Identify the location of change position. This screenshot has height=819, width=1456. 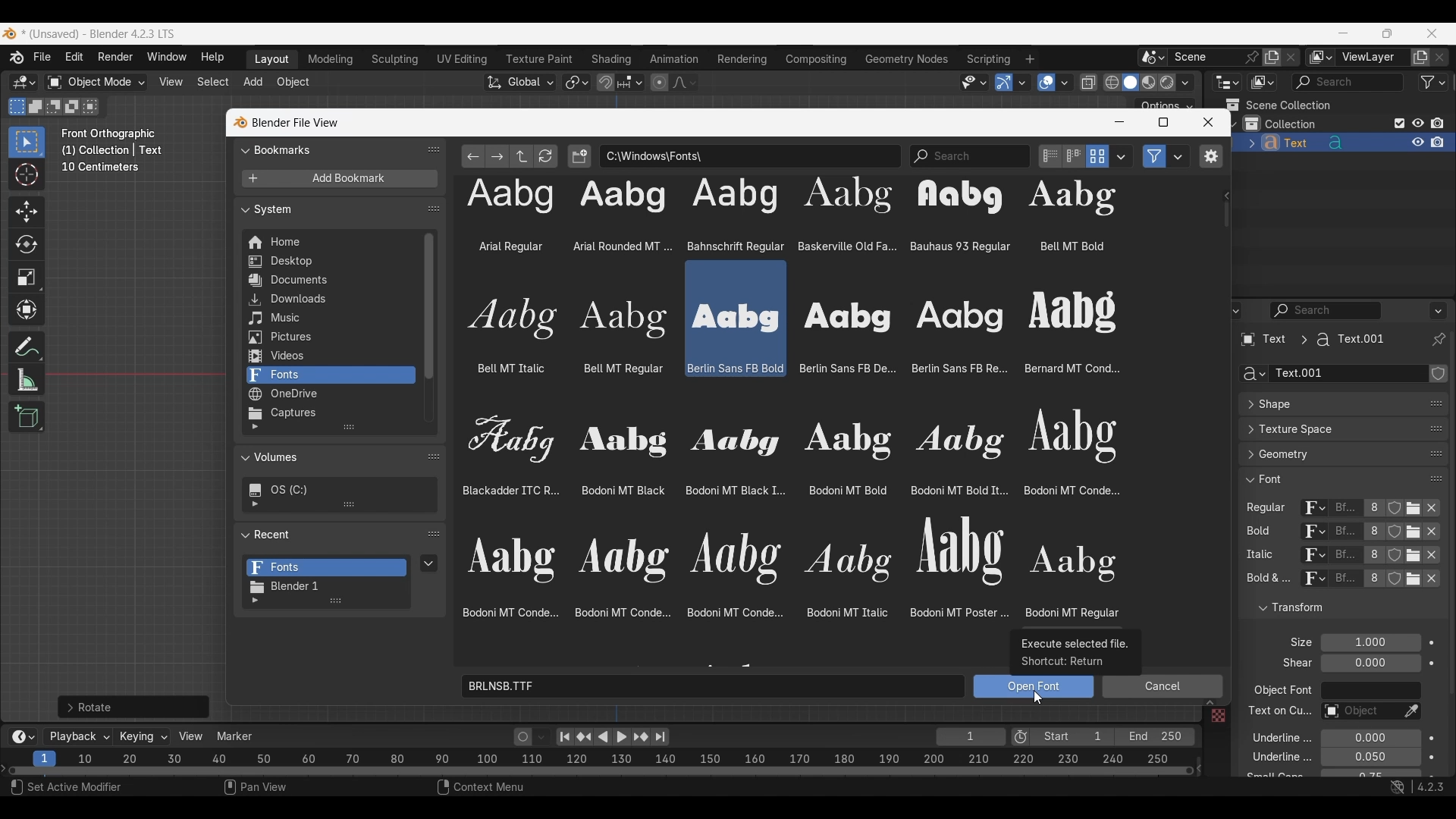
(1434, 455).